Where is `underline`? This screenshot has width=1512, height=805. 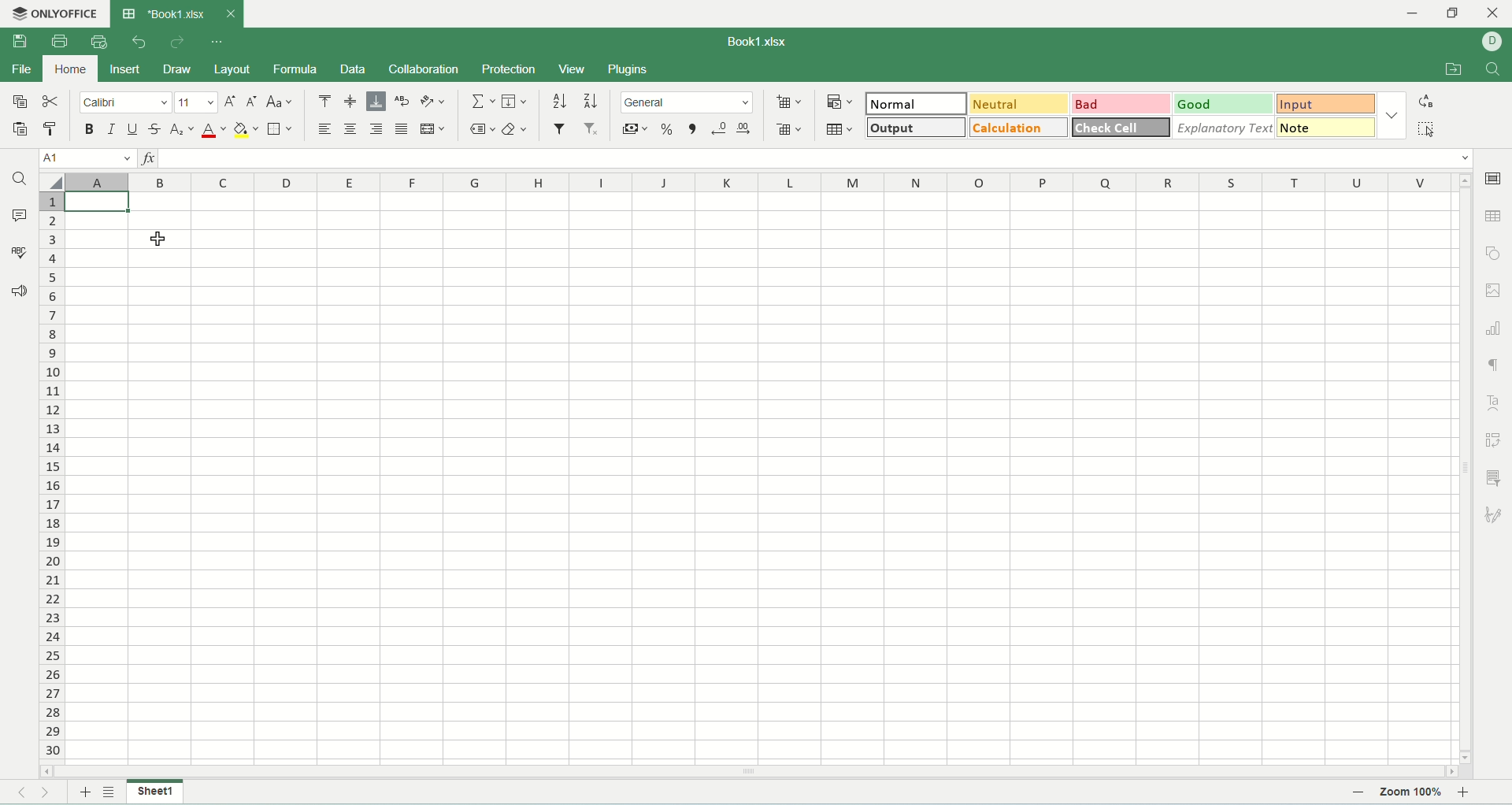 underline is located at coordinates (130, 130).